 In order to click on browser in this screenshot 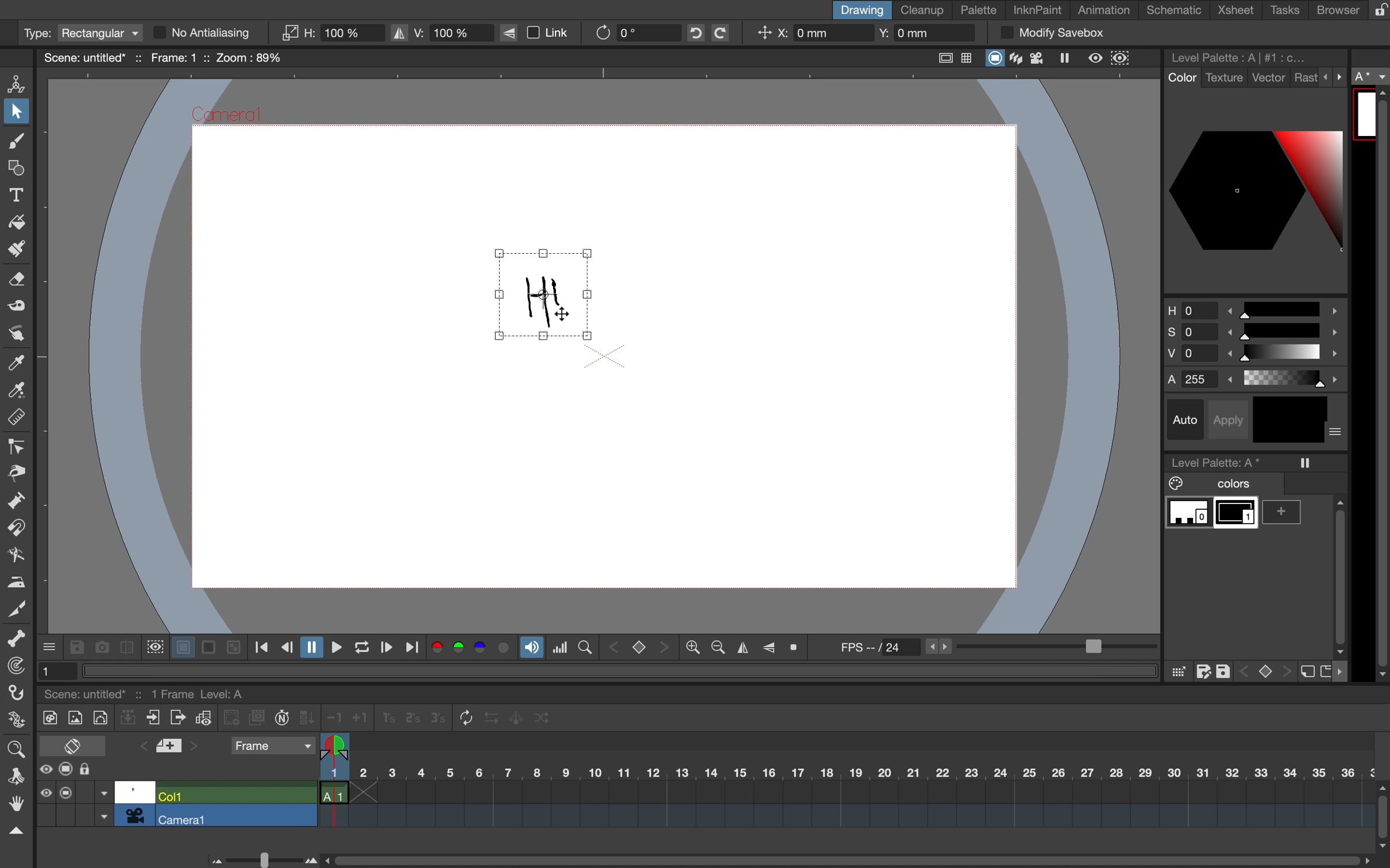, I will do `click(1330, 9)`.